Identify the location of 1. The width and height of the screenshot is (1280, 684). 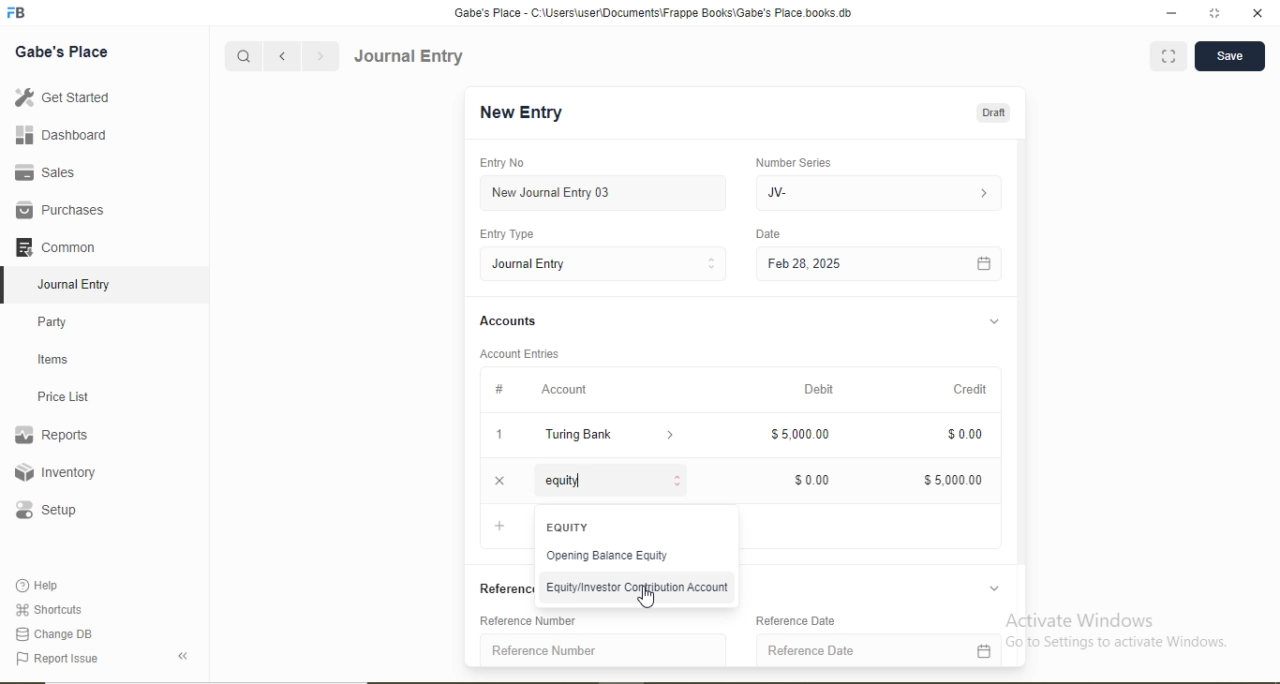
(499, 434).